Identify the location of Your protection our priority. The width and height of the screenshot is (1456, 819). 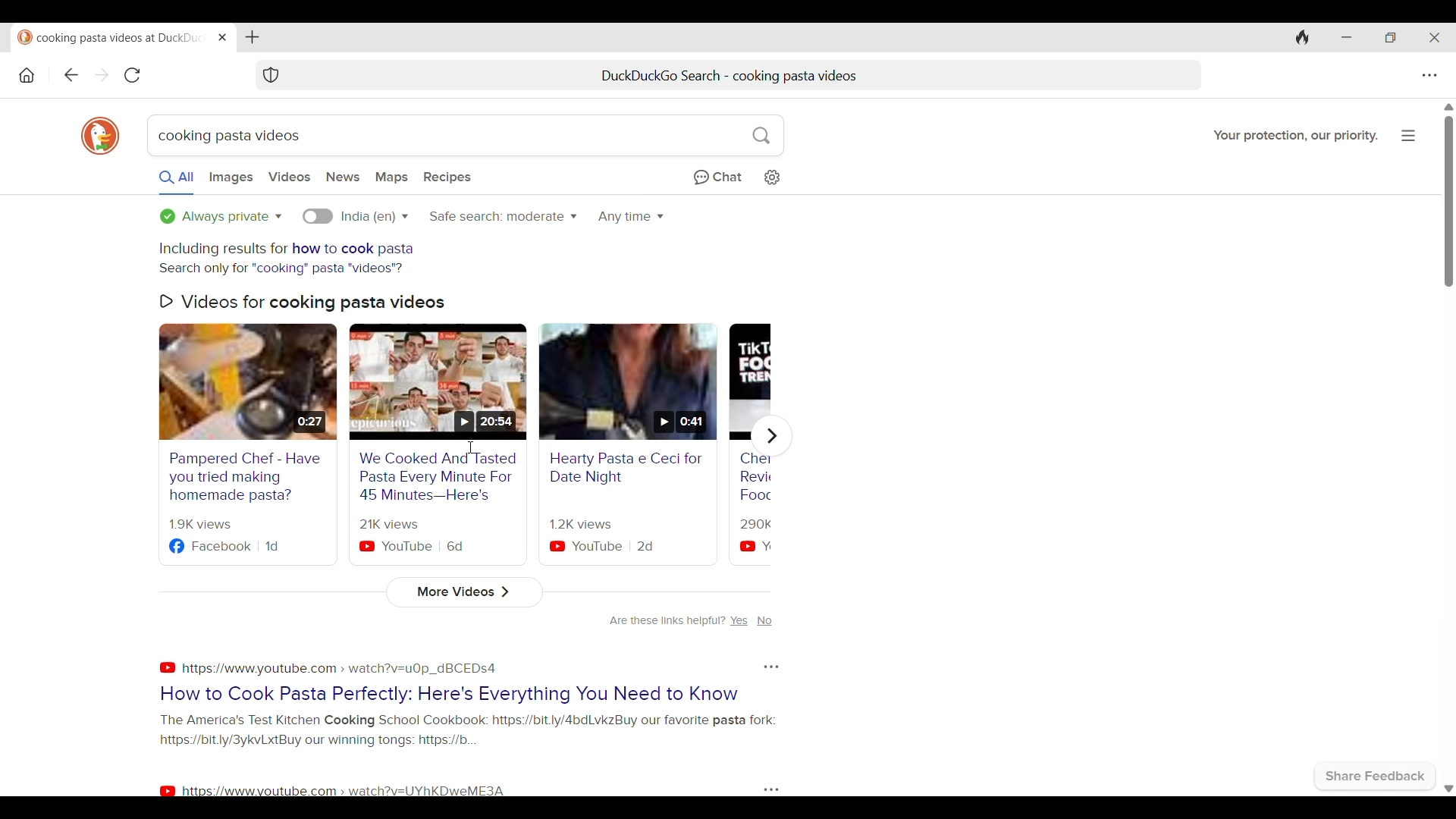
(1292, 136).